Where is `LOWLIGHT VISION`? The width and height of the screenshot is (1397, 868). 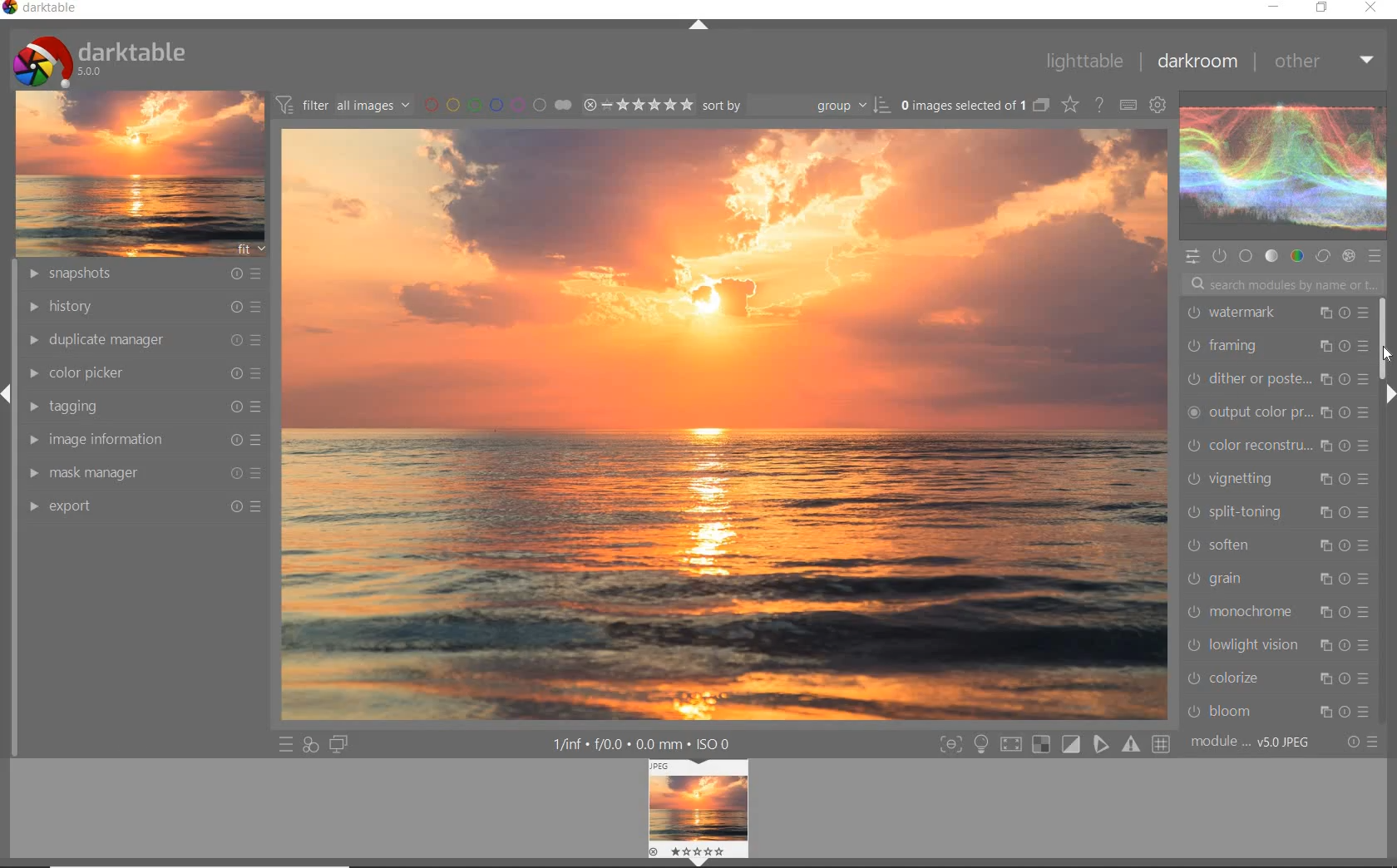 LOWLIGHT VISION is located at coordinates (1277, 644).